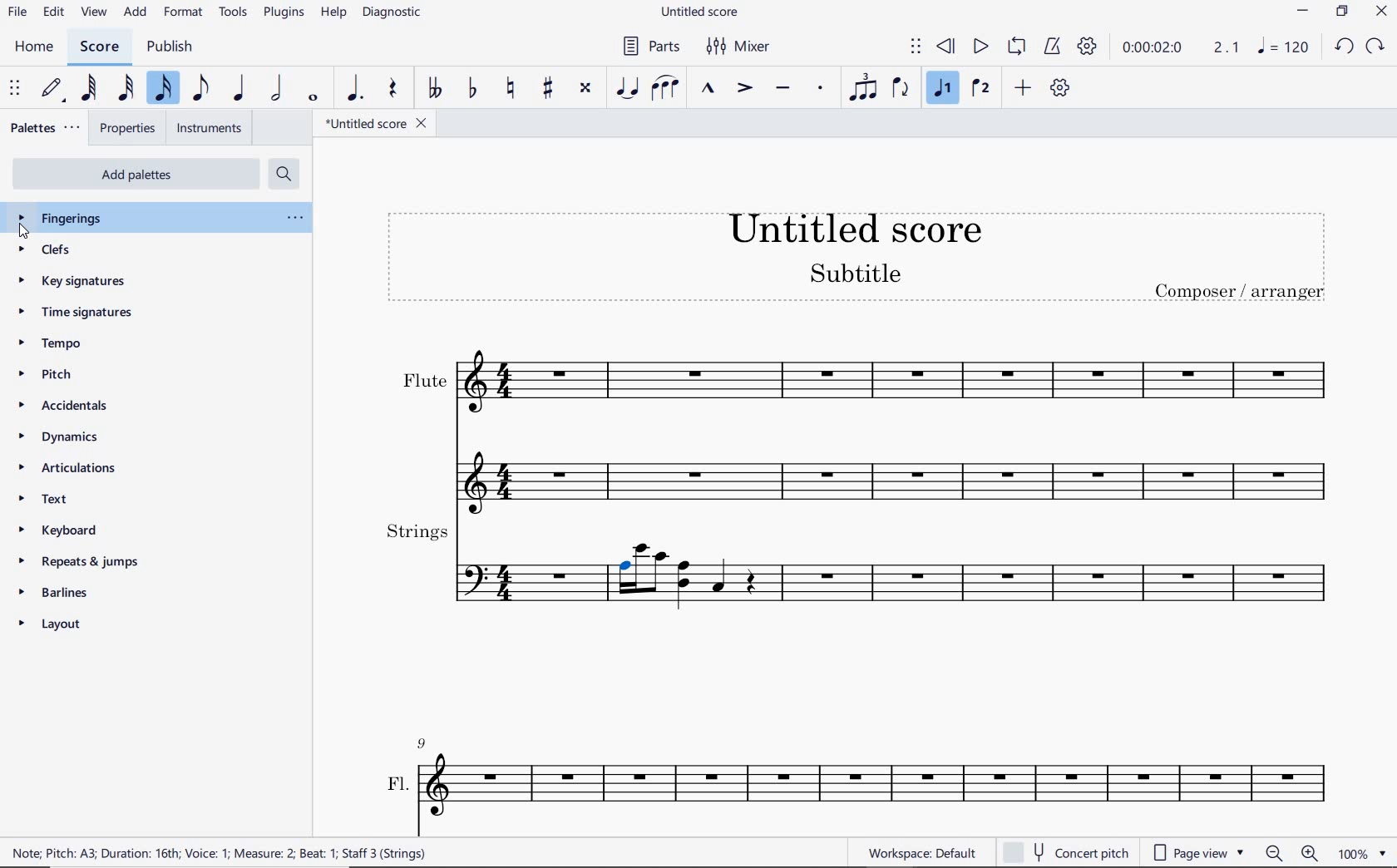  Describe the element at coordinates (17, 13) in the screenshot. I see `file` at that location.